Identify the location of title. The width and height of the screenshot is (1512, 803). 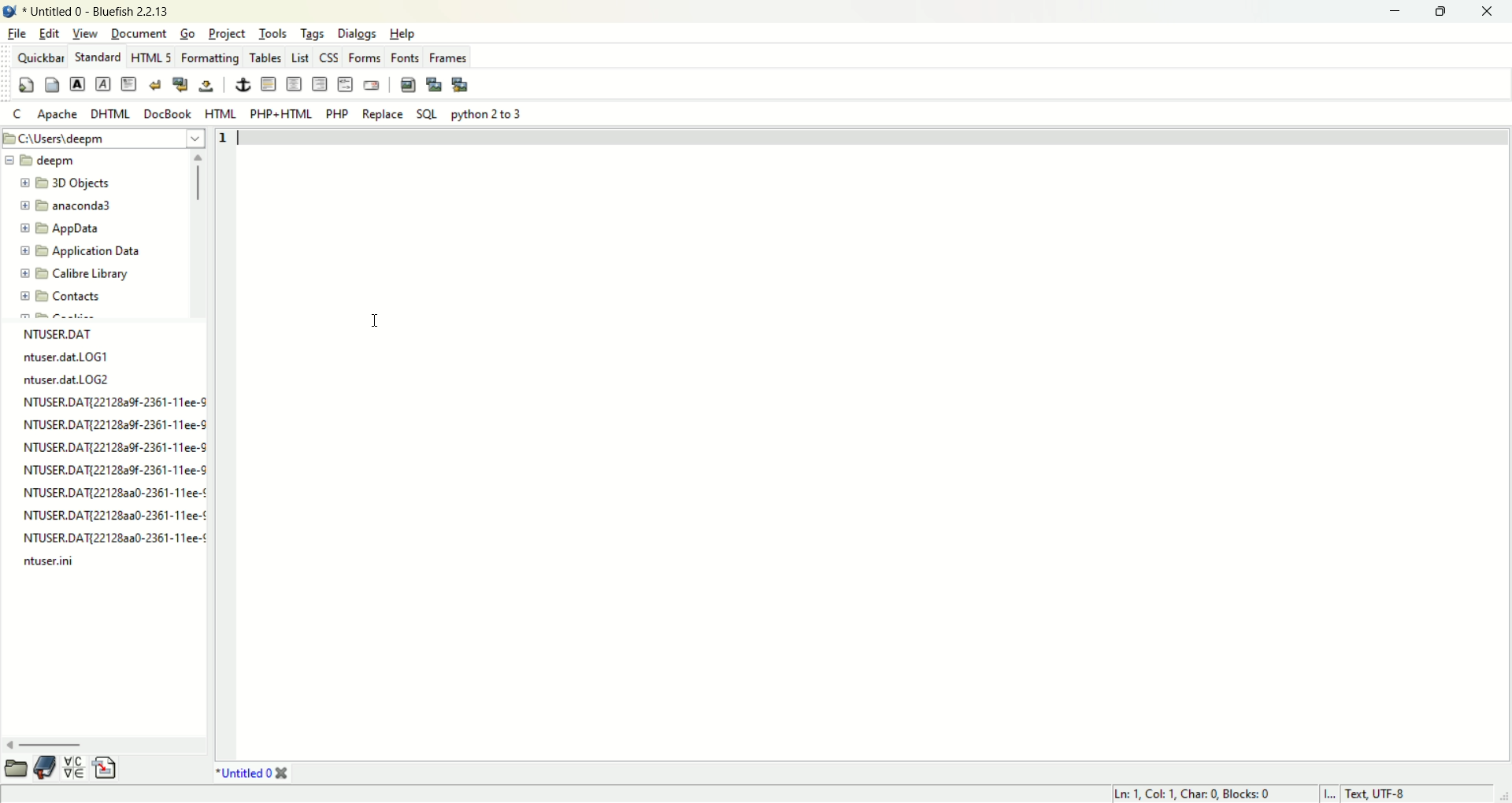
(97, 13).